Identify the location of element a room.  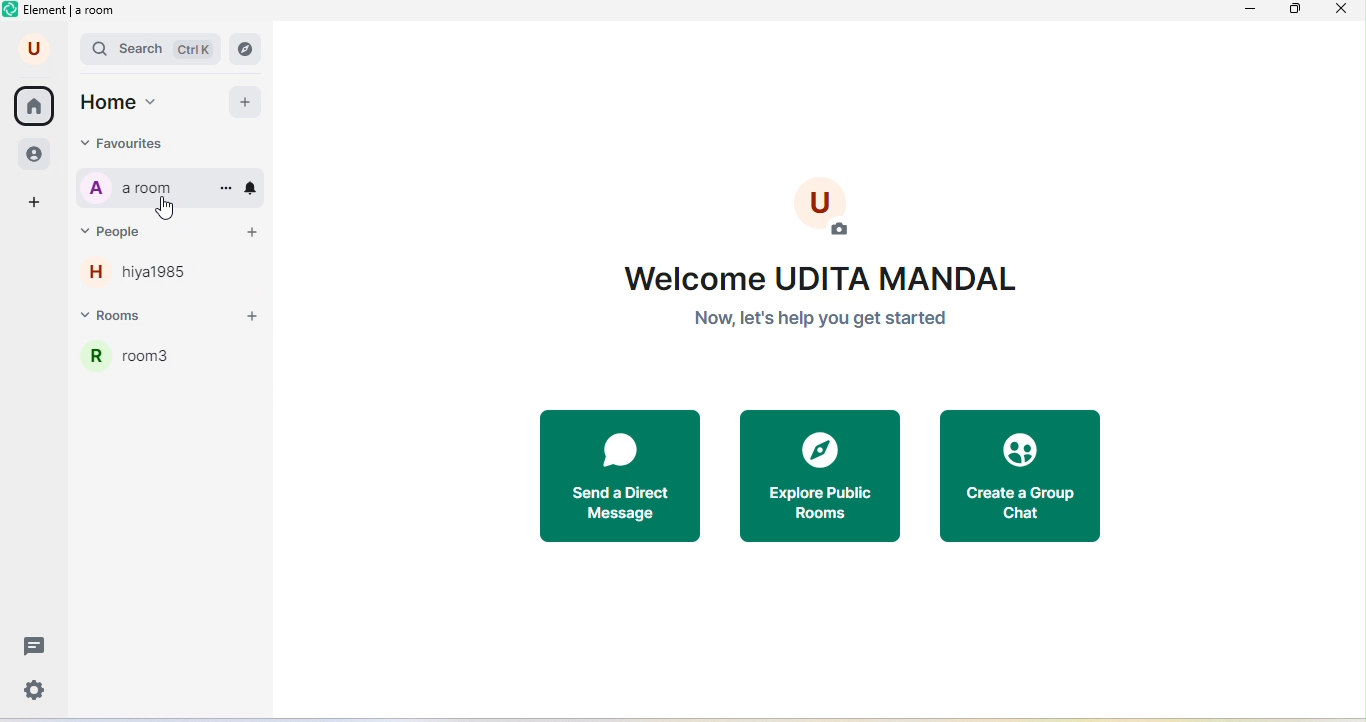
(70, 13).